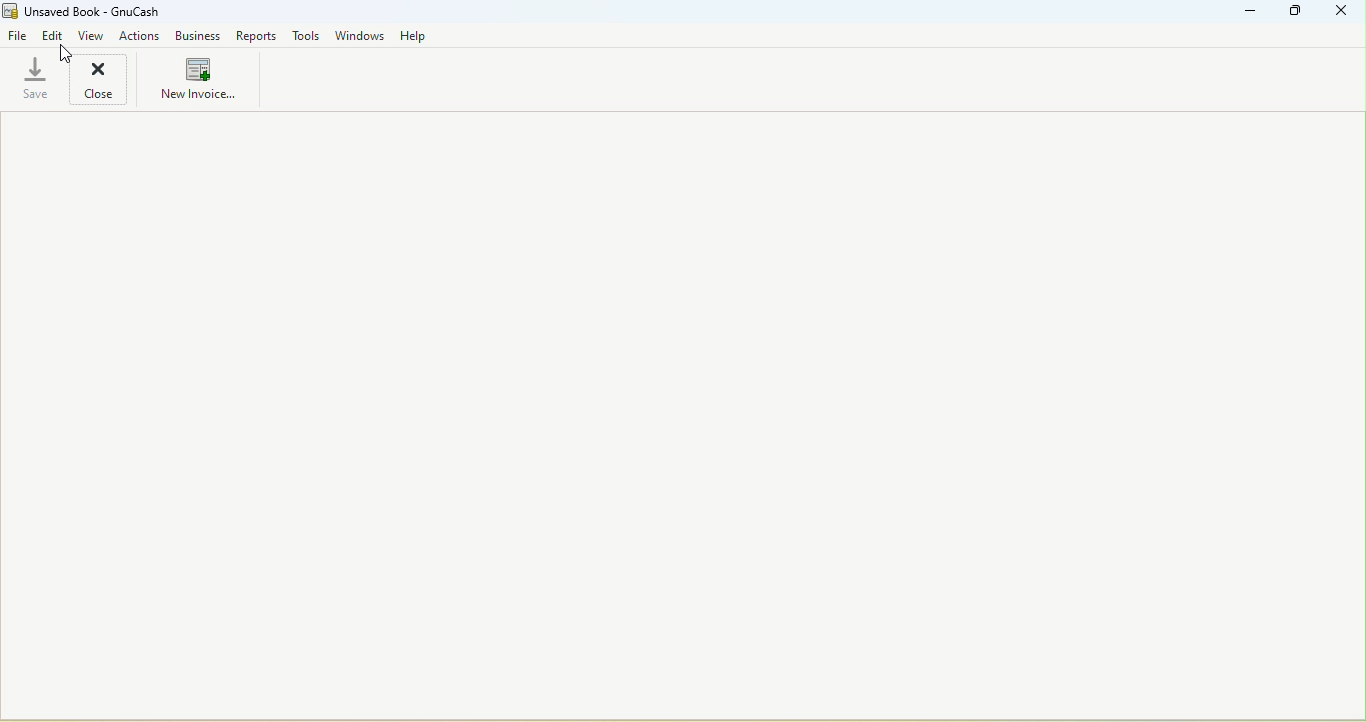 The width and height of the screenshot is (1366, 722). What do you see at coordinates (92, 36) in the screenshot?
I see `View` at bounding box center [92, 36].